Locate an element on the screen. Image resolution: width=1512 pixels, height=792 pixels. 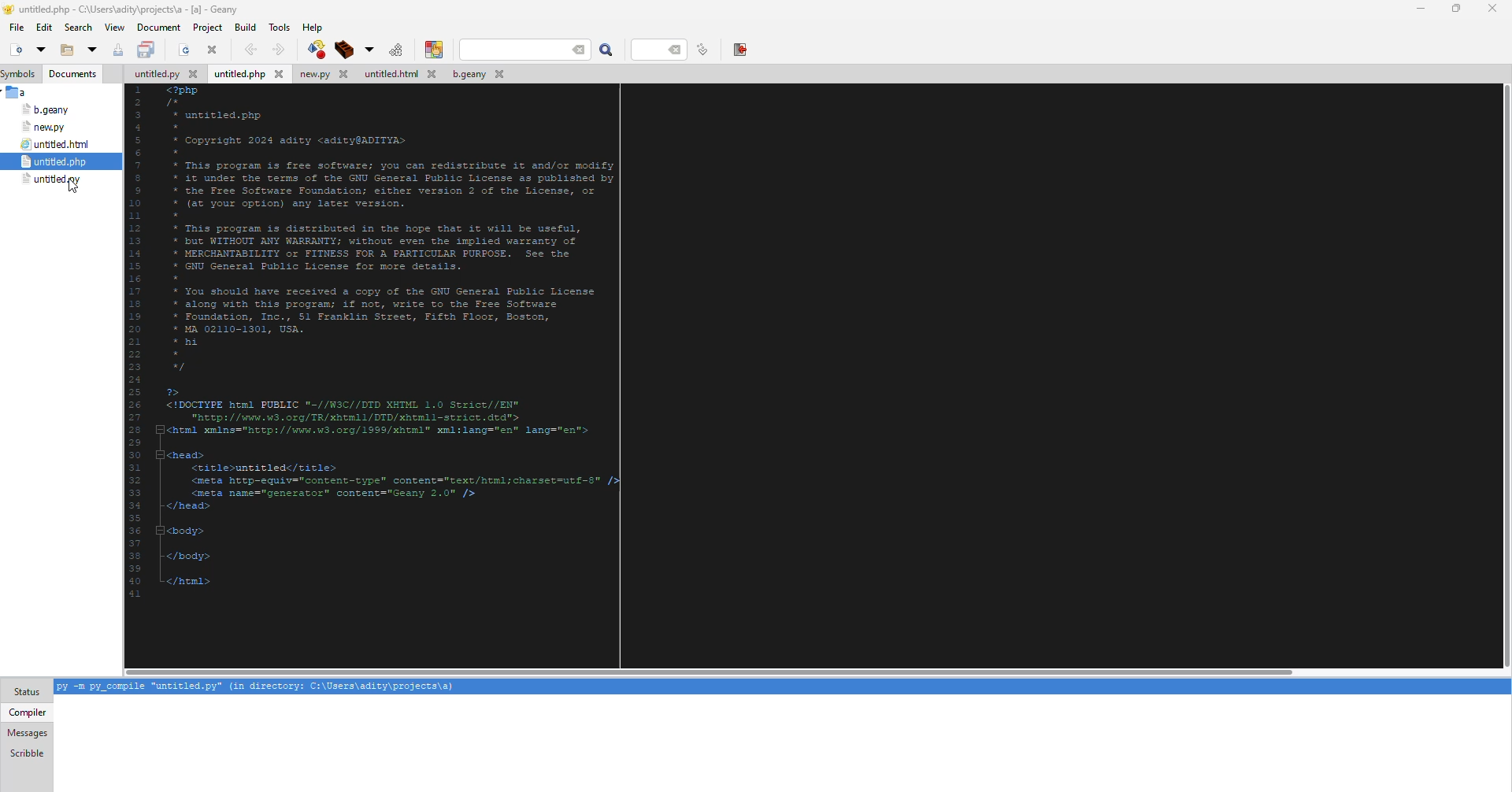
compile is located at coordinates (343, 50).